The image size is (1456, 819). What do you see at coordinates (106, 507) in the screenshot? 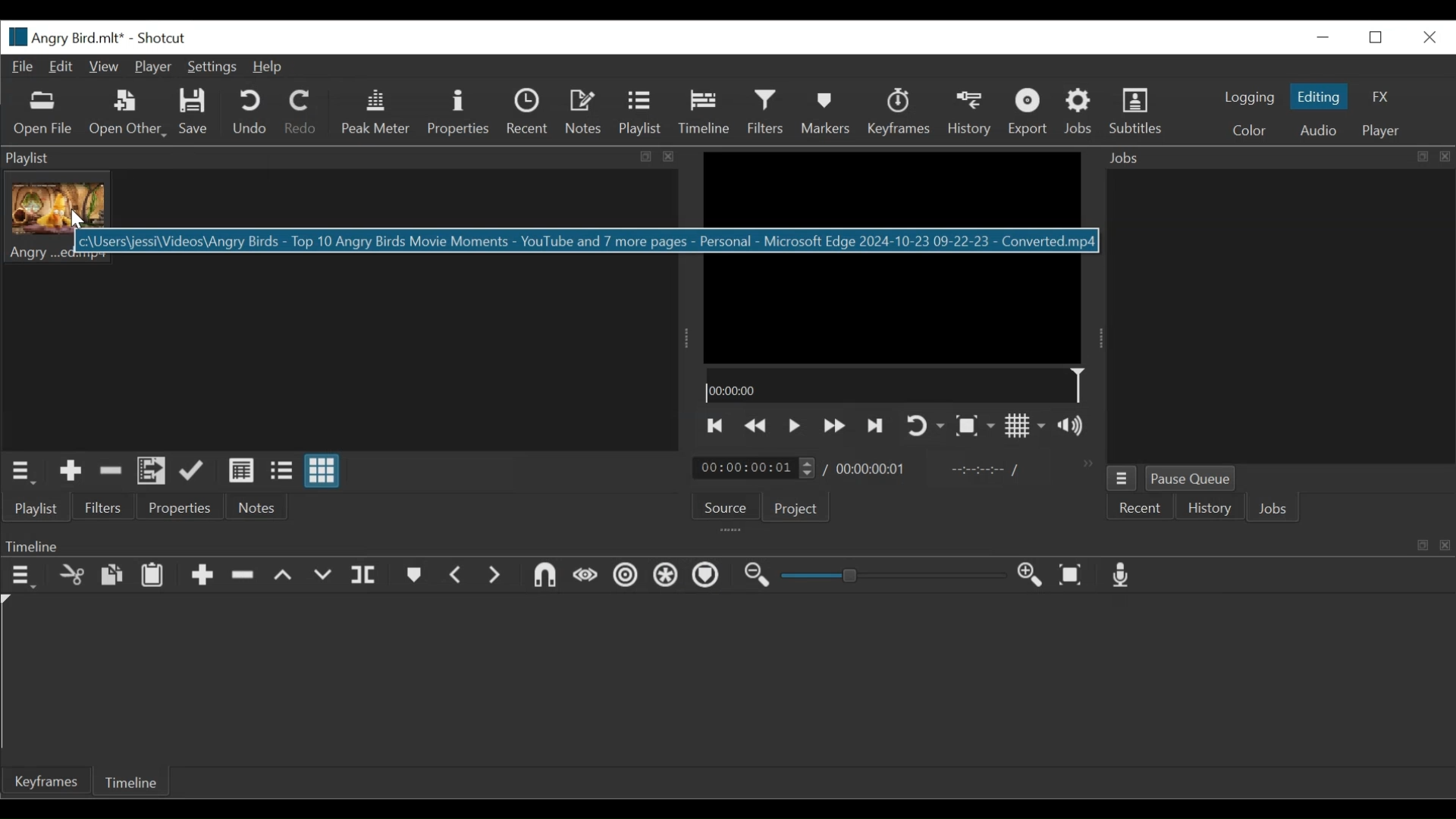
I see `Filters` at bounding box center [106, 507].